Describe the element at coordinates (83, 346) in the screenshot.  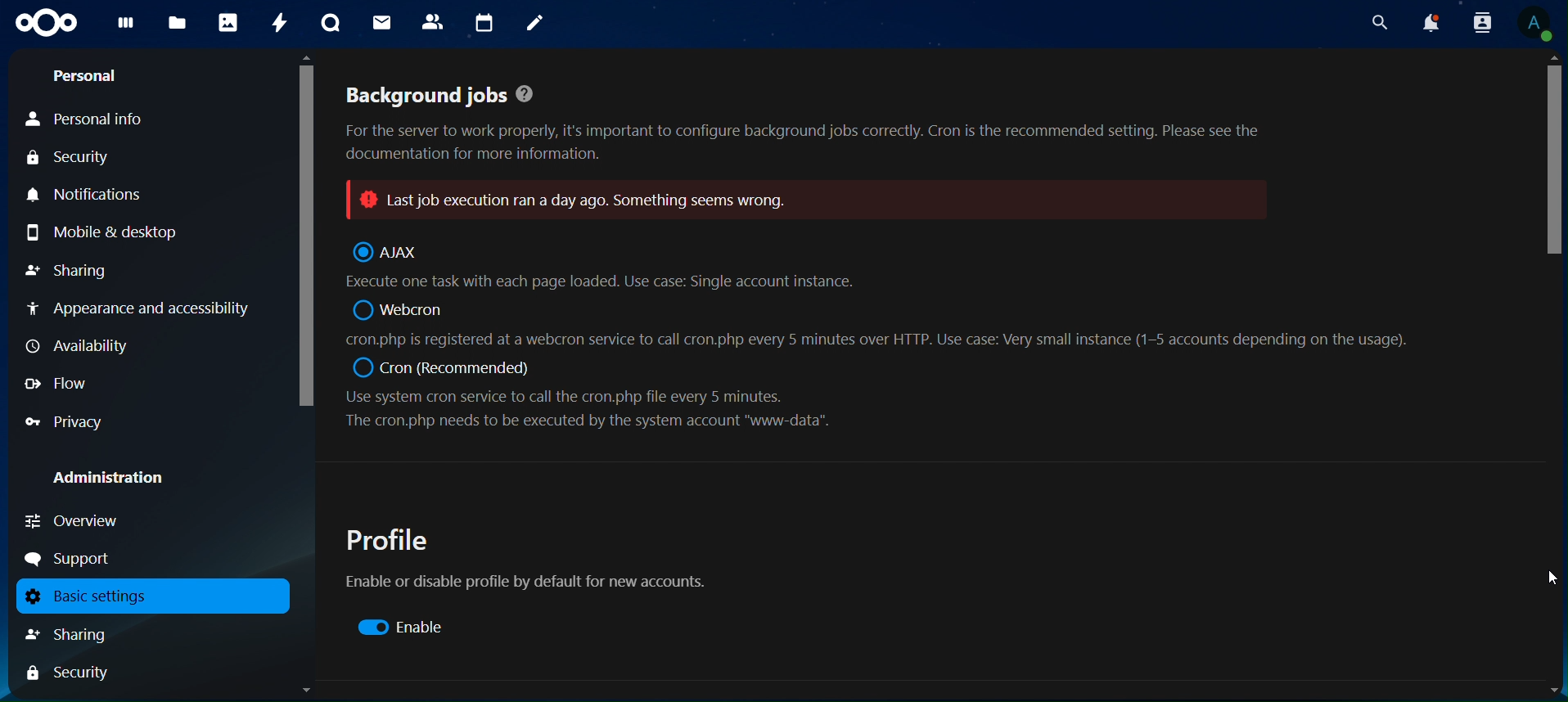
I see `availability` at that location.